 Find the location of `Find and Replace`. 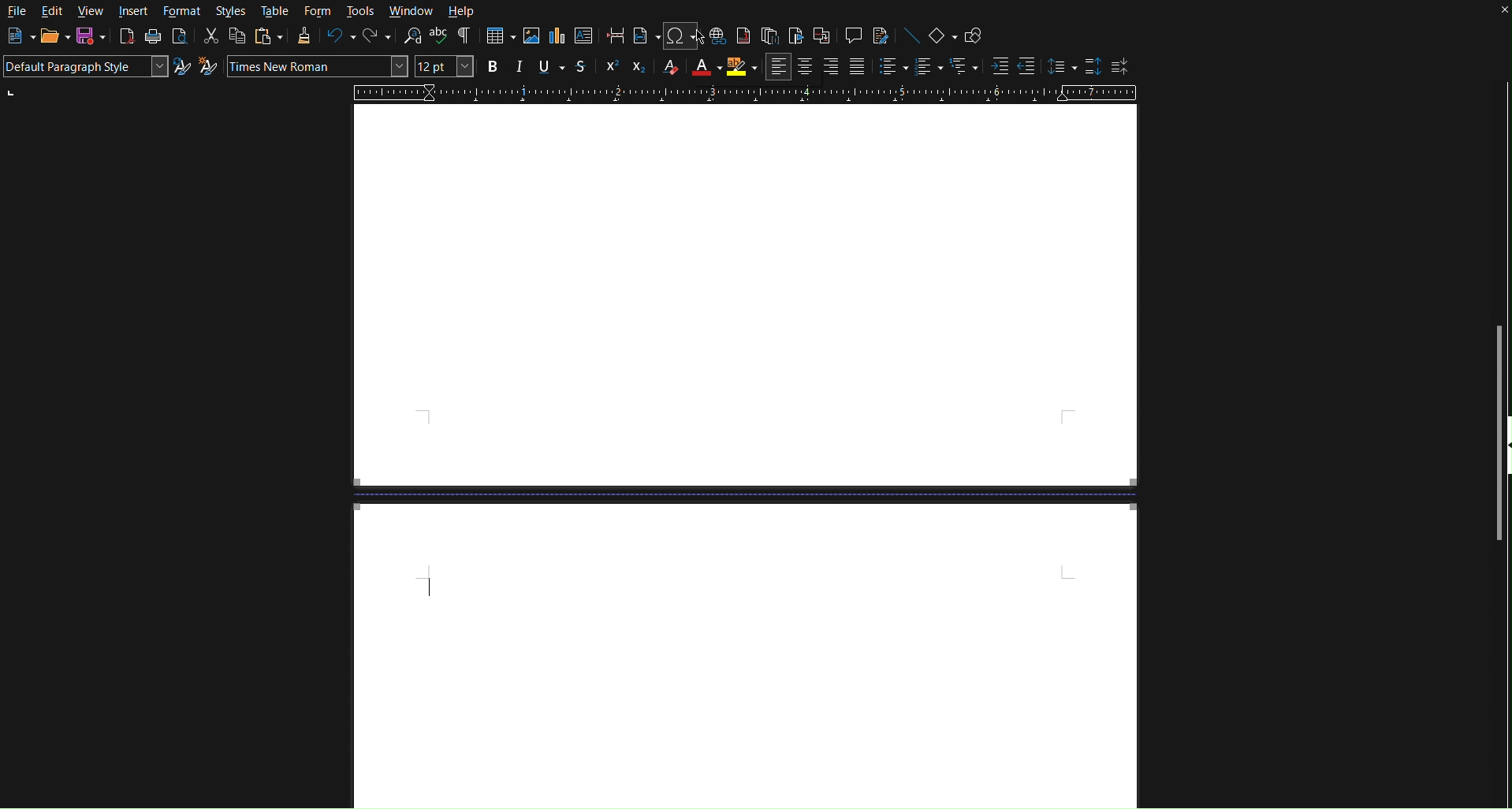

Find and Replace is located at coordinates (410, 36).